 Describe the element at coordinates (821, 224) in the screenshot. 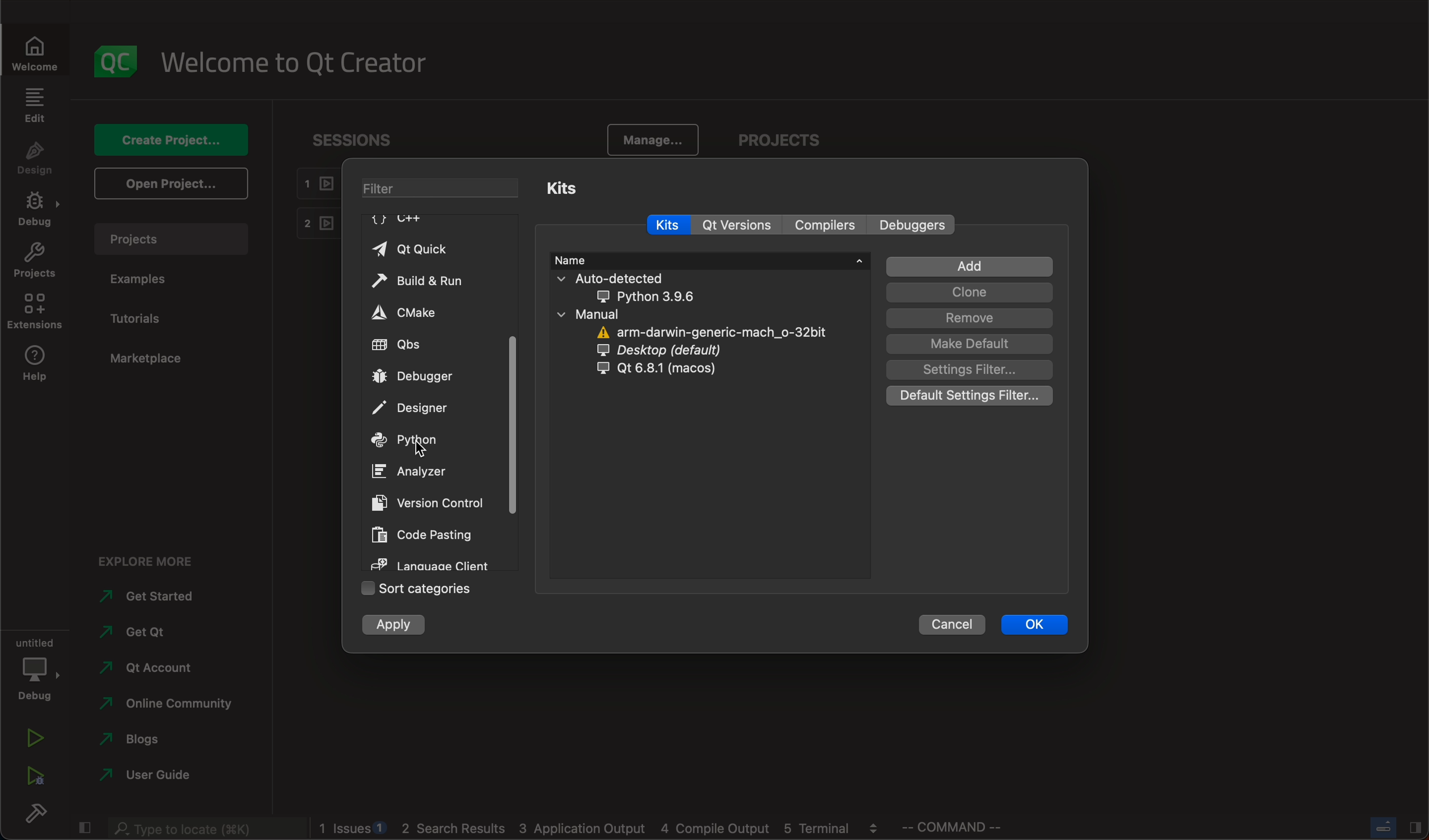

I see `compilers` at that location.